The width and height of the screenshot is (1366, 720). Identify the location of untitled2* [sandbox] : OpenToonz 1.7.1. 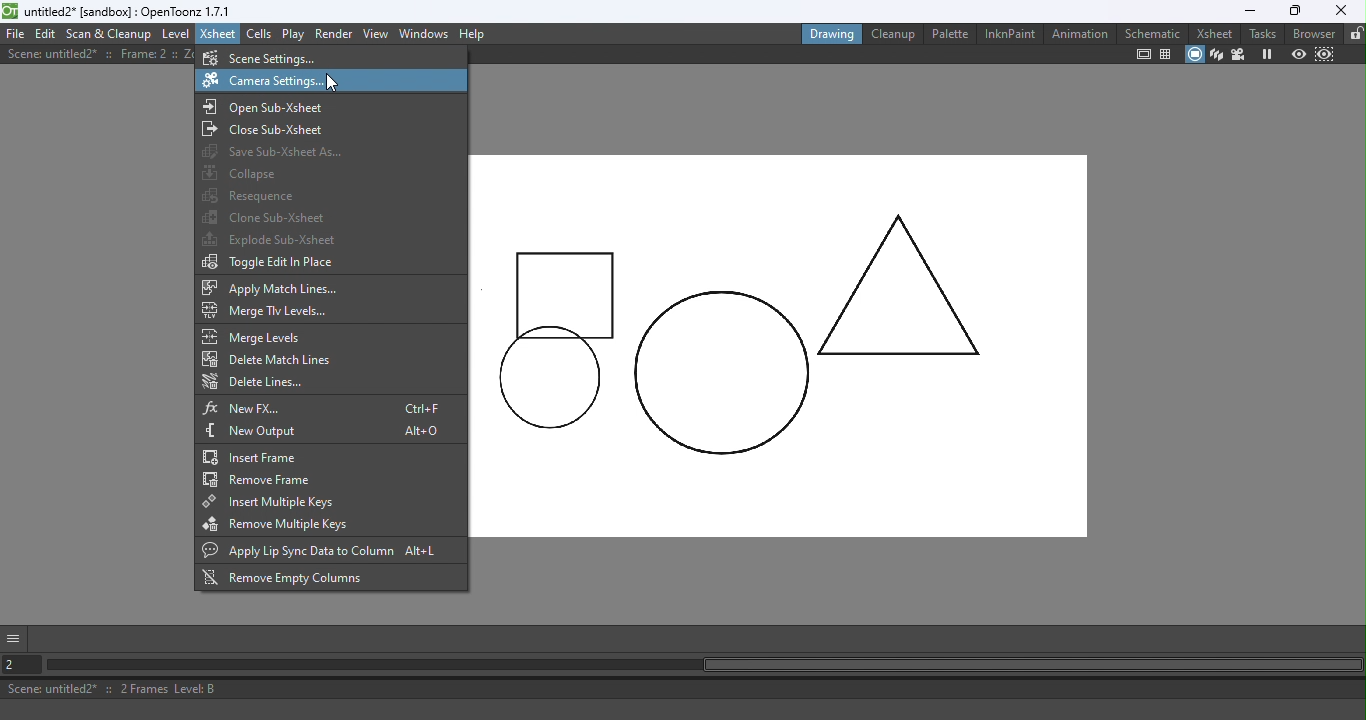
(120, 11).